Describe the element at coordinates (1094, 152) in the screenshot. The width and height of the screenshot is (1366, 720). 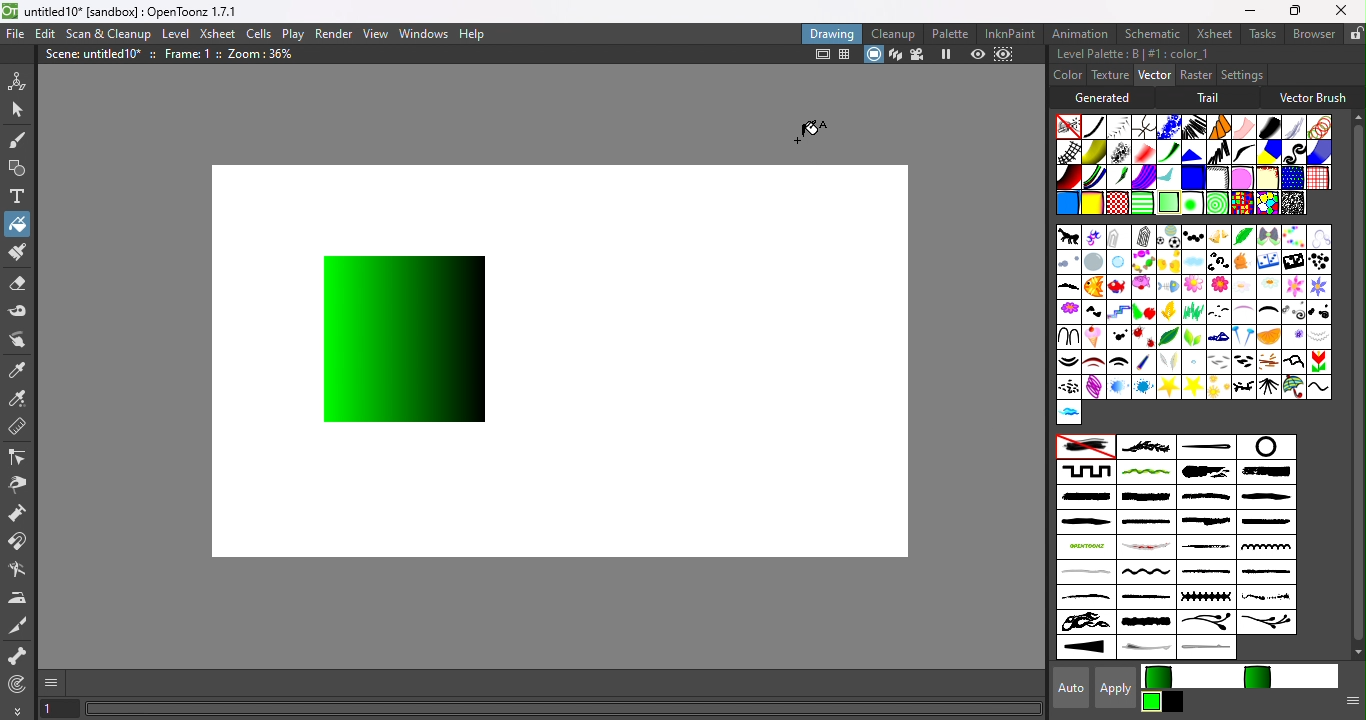
I see `Bump` at that location.